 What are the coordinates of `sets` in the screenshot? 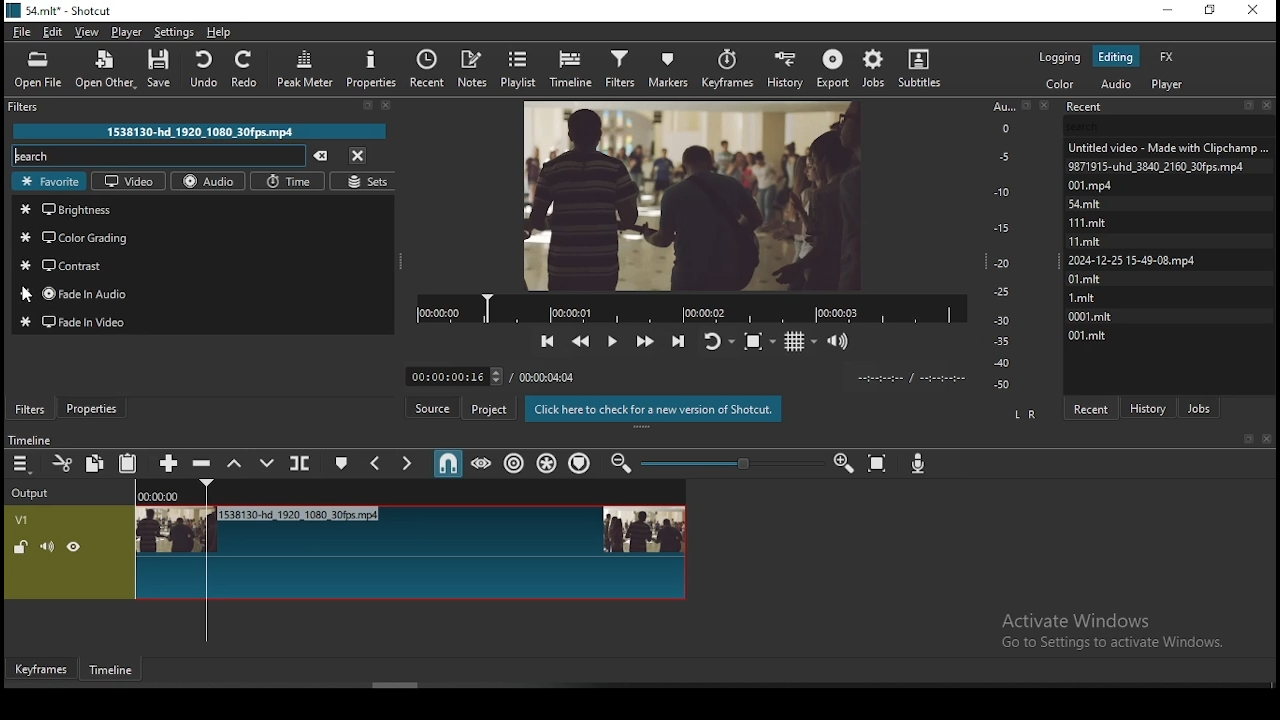 It's located at (363, 182).